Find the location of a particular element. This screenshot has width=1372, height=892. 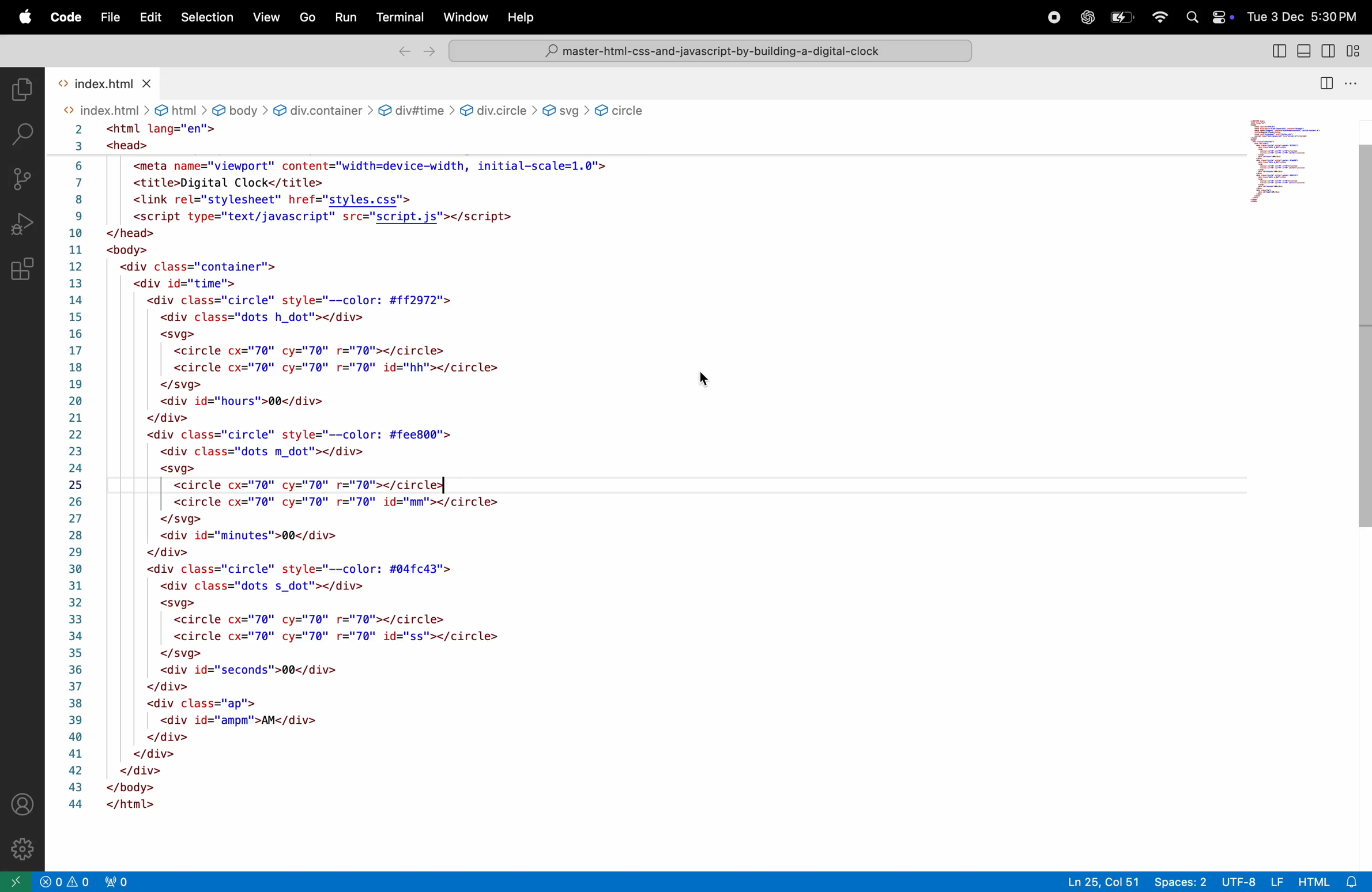

search bar is located at coordinates (708, 52).